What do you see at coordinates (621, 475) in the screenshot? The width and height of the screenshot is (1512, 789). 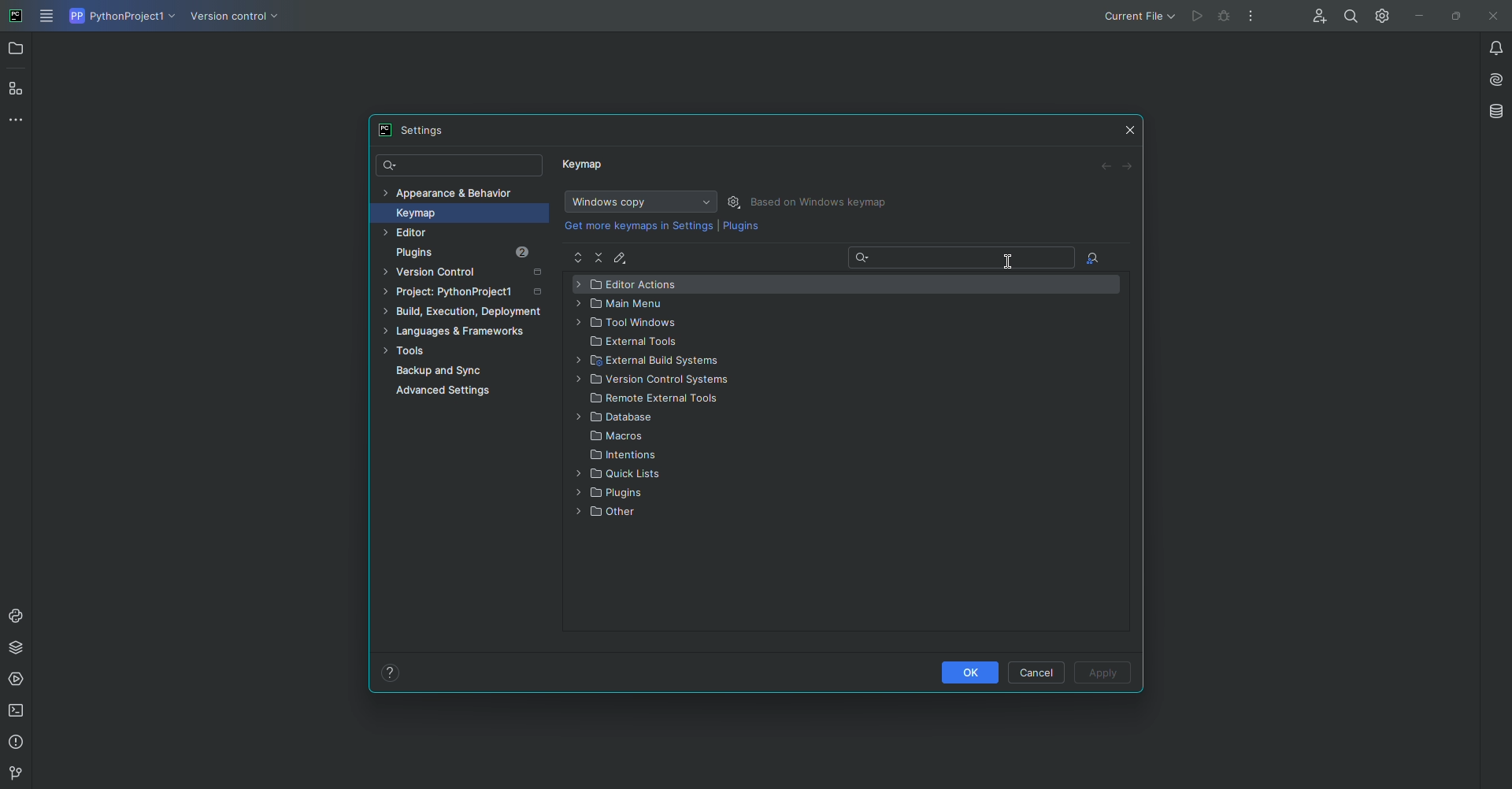 I see `Quick Lists` at bounding box center [621, 475].